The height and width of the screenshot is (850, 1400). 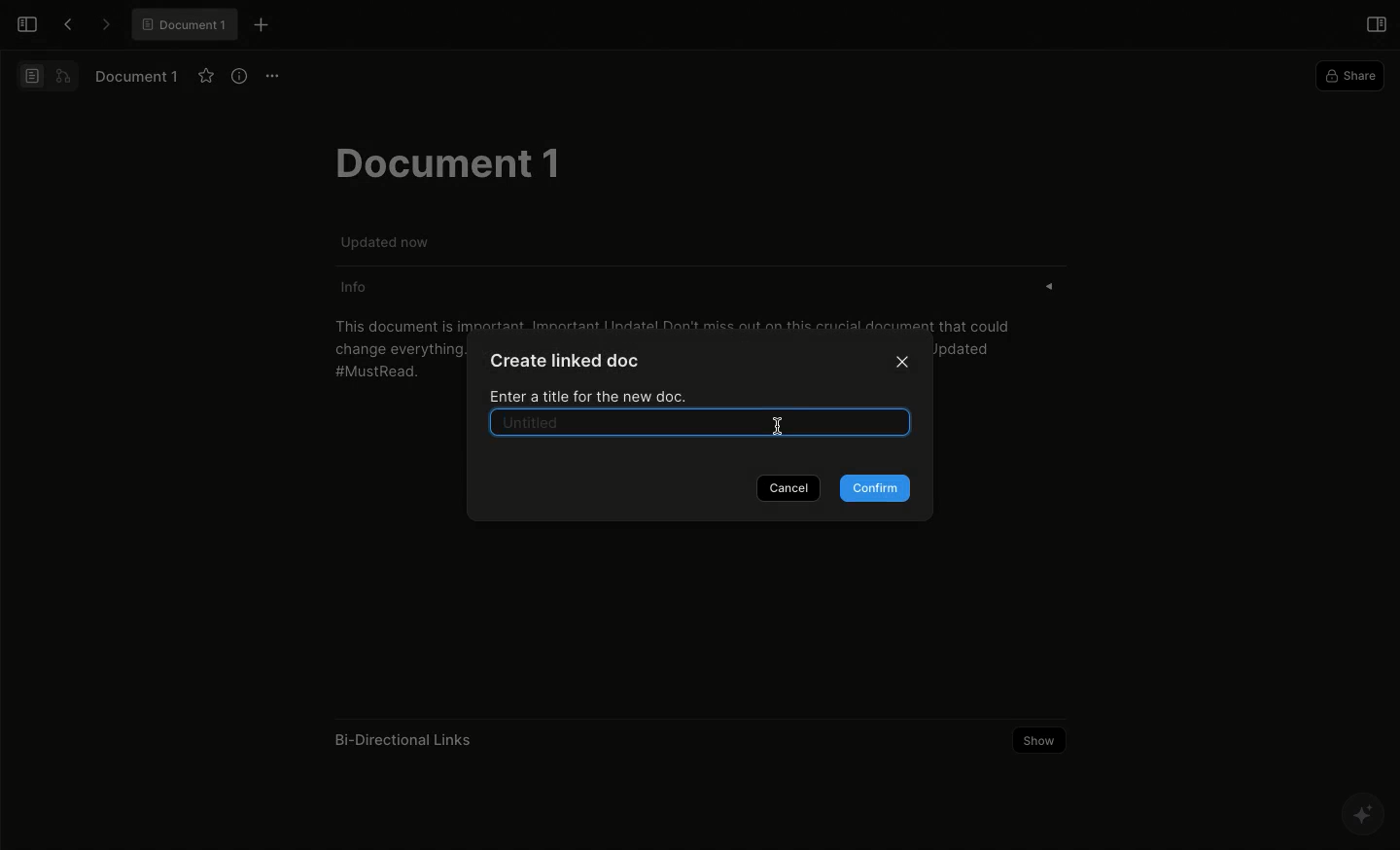 What do you see at coordinates (46, 76) in the screenshot?
I see `Switch view` at bounding box center [46, 76].